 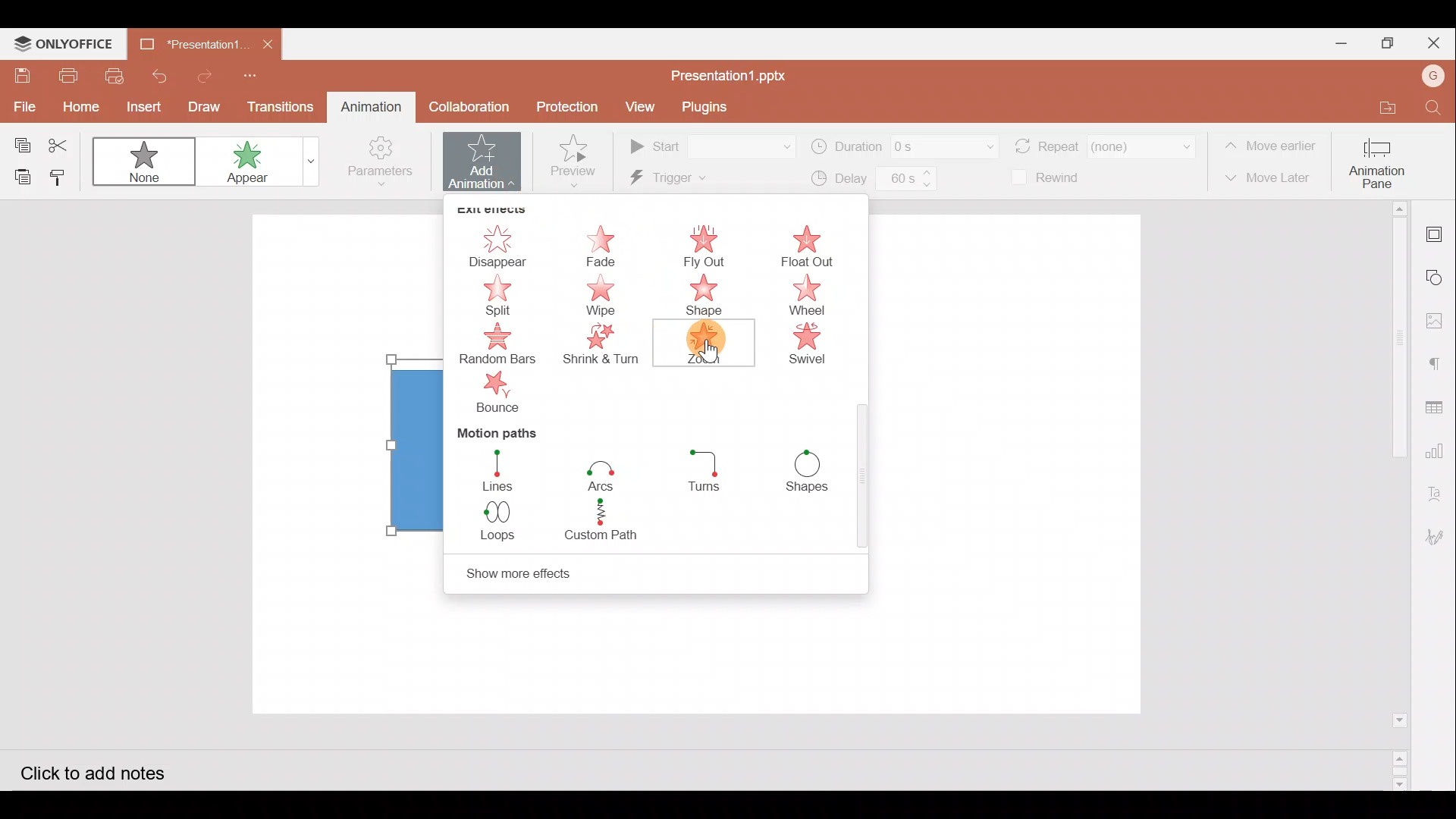 I want to click on Wheel, so click(x=810, y=297).